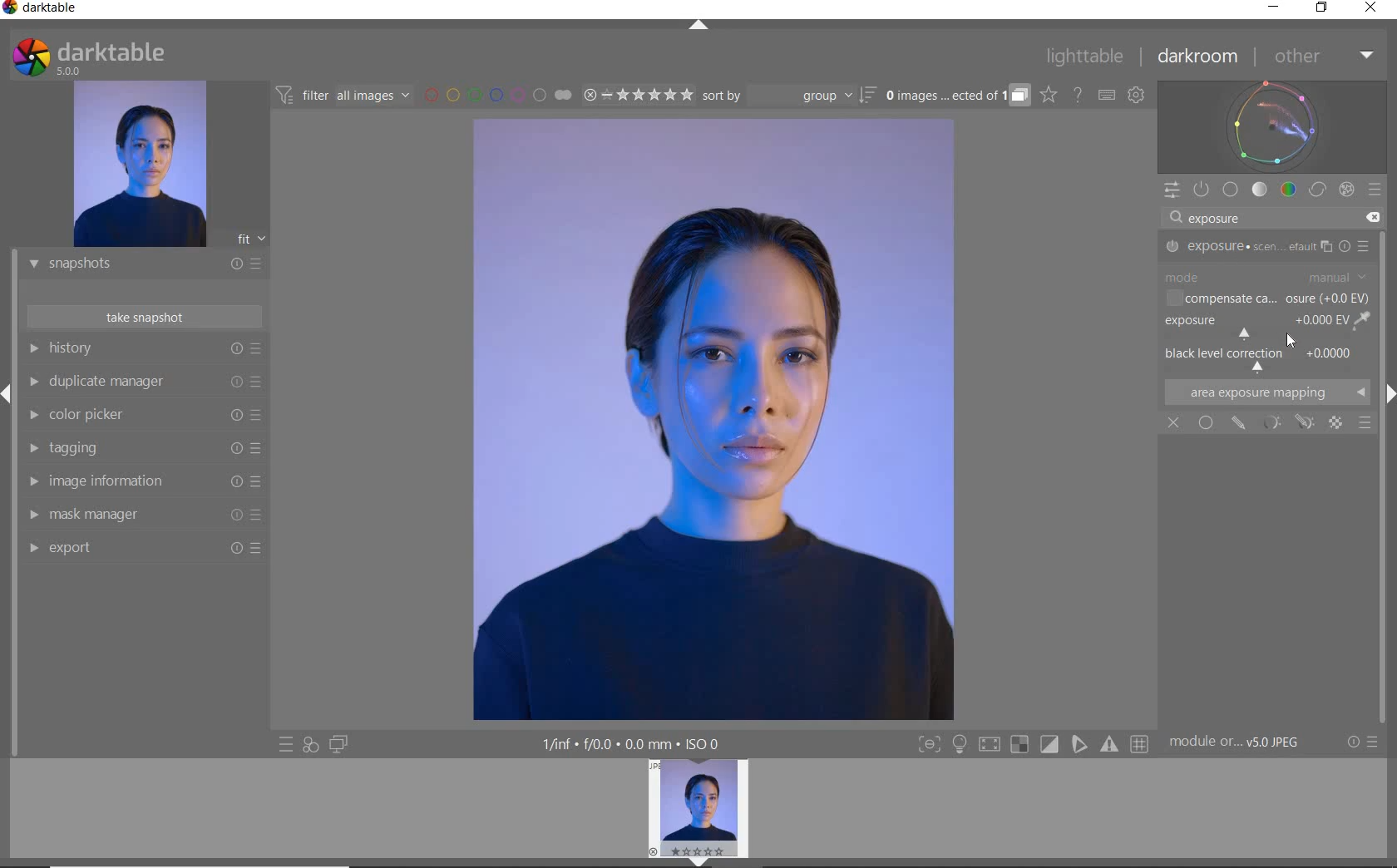 The image size is (1397, 868). What do you see at coordinates (1337, 424) in the screenshot?
I see `MASK OPTION` at bounding box center [1337, 424].